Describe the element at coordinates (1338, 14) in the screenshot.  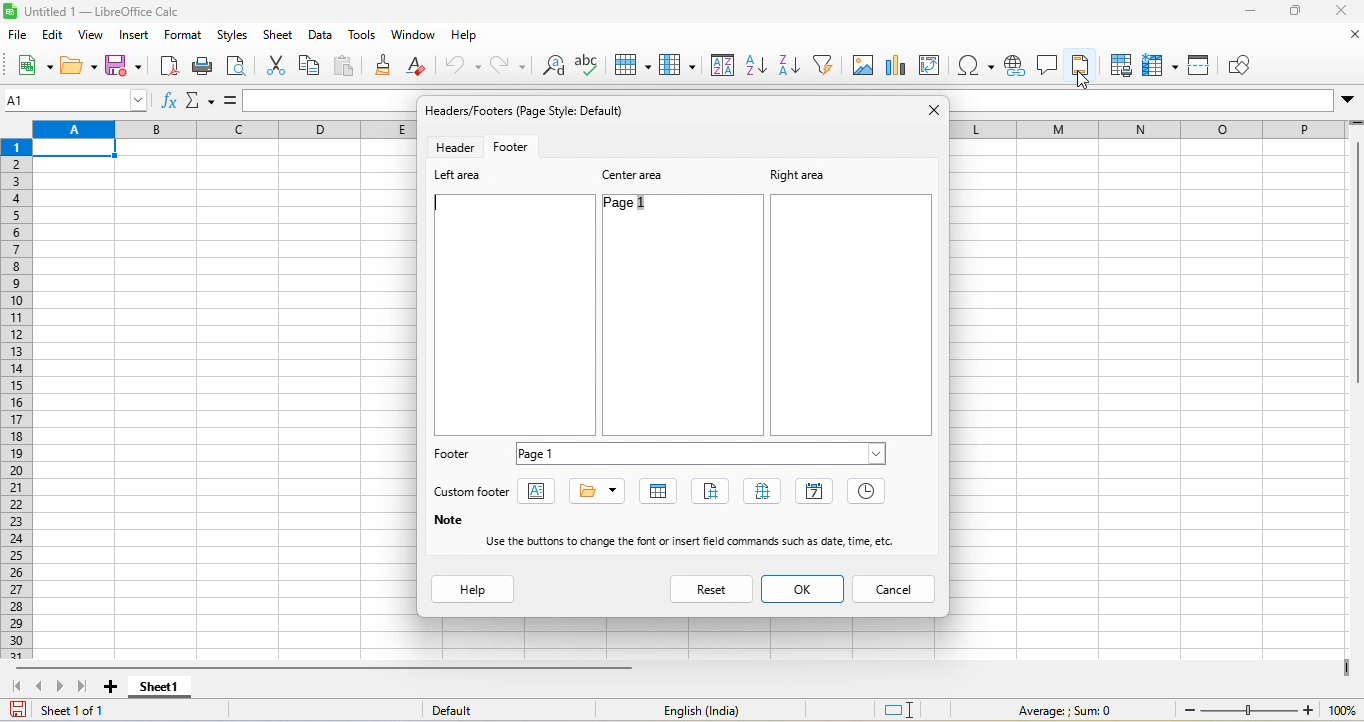
I see `close` at that location.